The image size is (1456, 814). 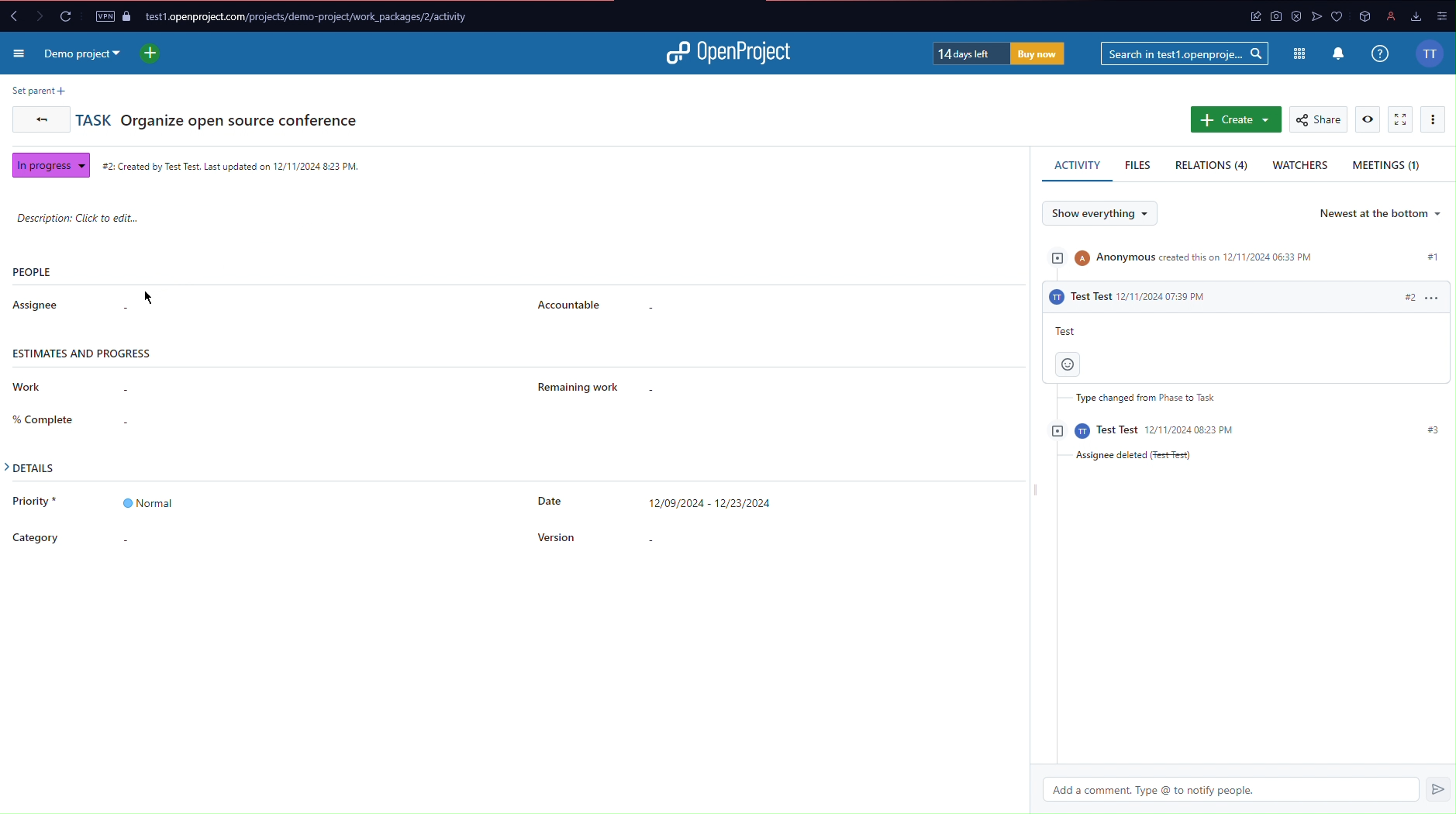 I want to click on Category, so click(x=33, y=537).